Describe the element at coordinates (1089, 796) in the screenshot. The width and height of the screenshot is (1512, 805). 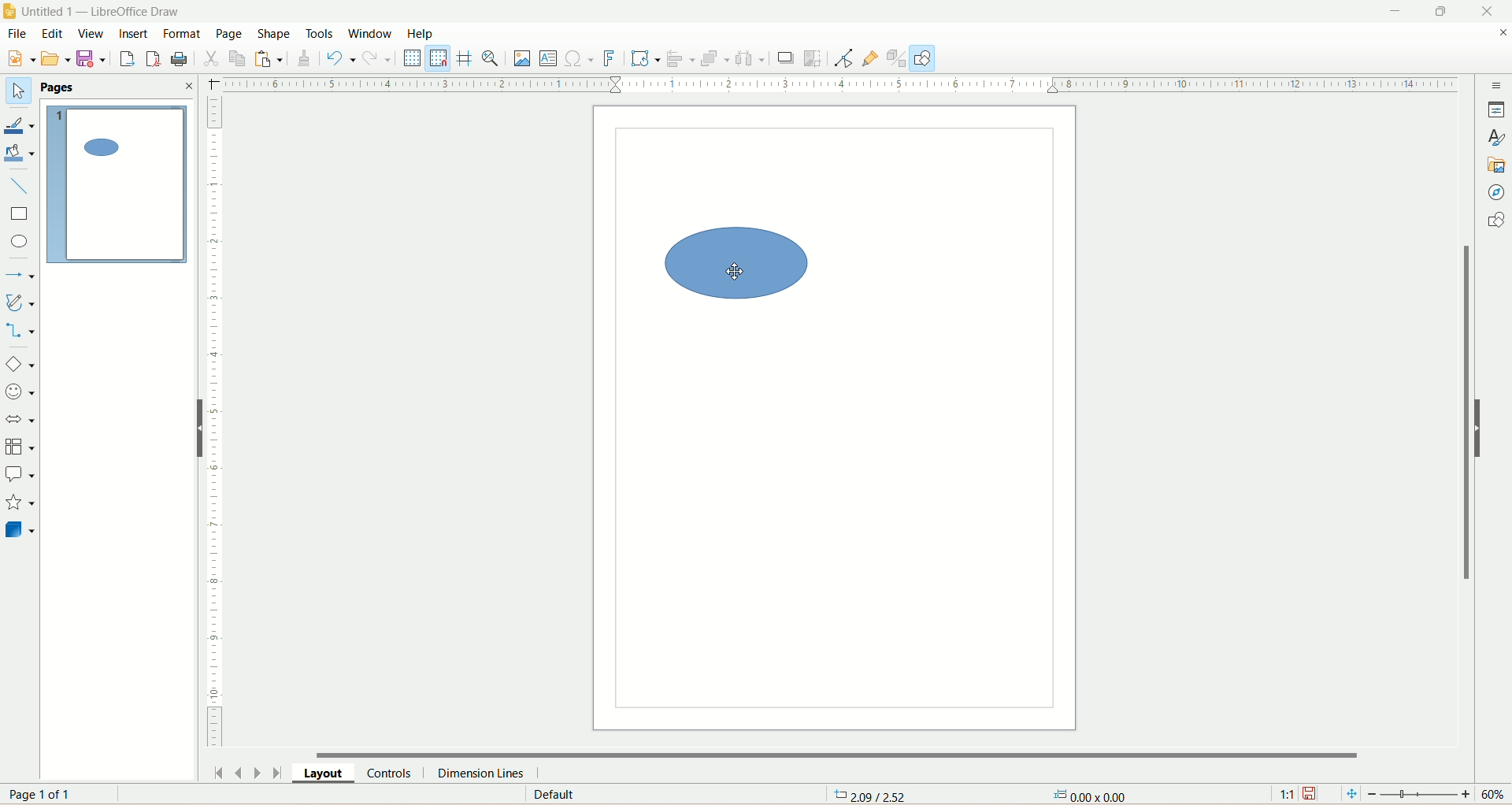
I see `anchor point` at that location.